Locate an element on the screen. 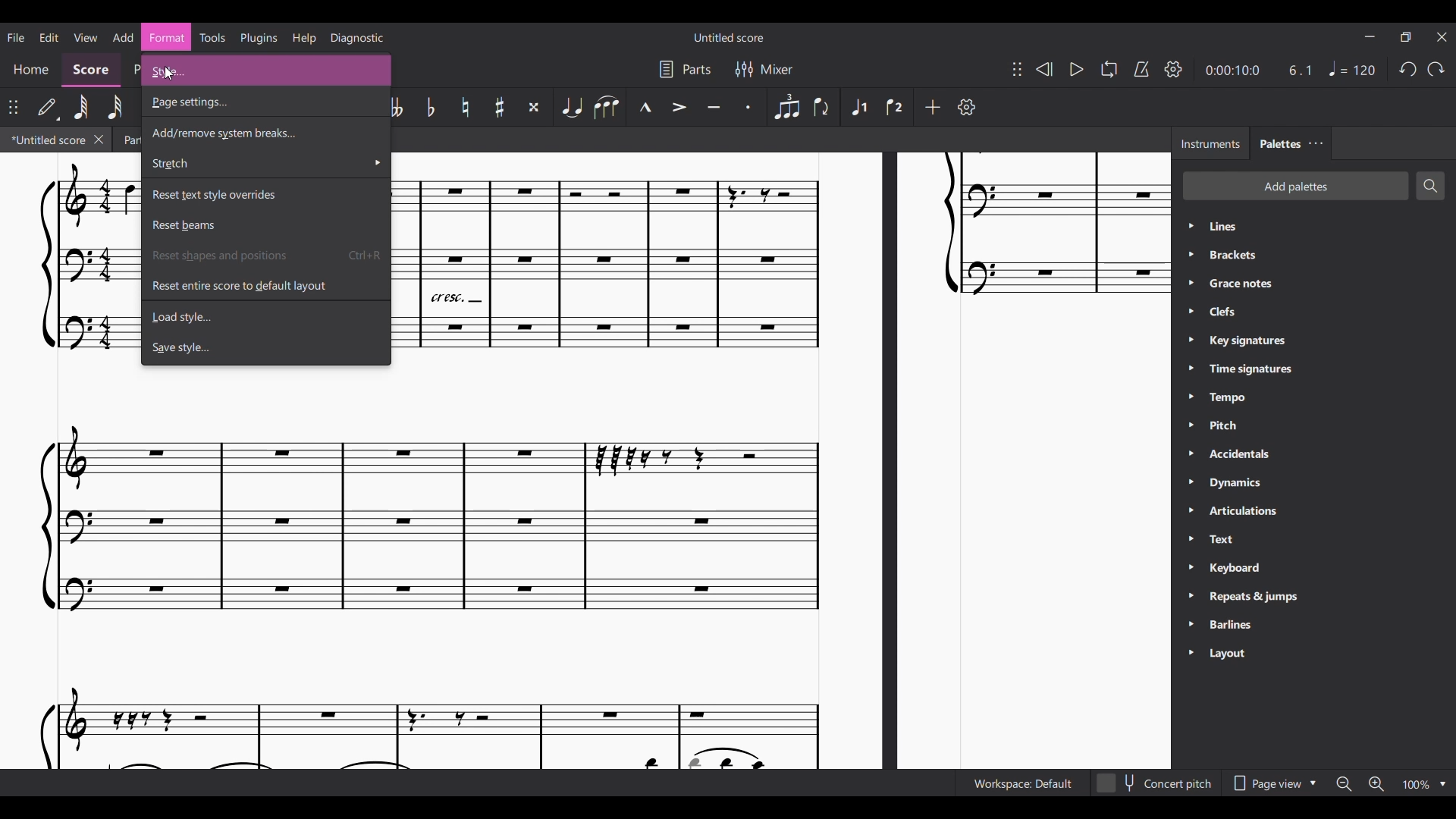 The width and height of the screenshot is (1456, 819). Search palettes is located at coordinates (1430, 186).